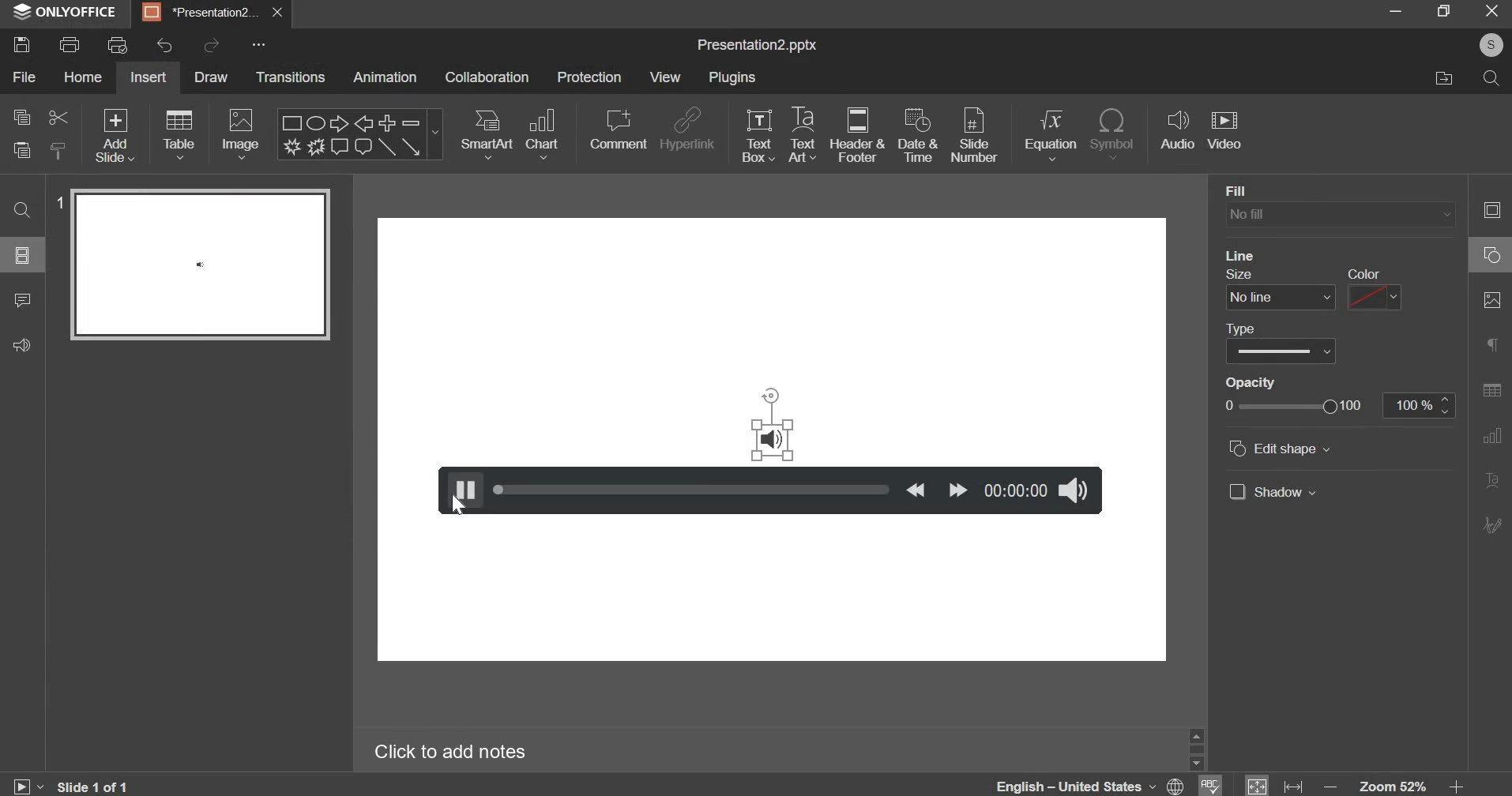  What do you see at coordinates (208, 76) in the screenshot?
I see `draw` at bounding box center [208, 76].